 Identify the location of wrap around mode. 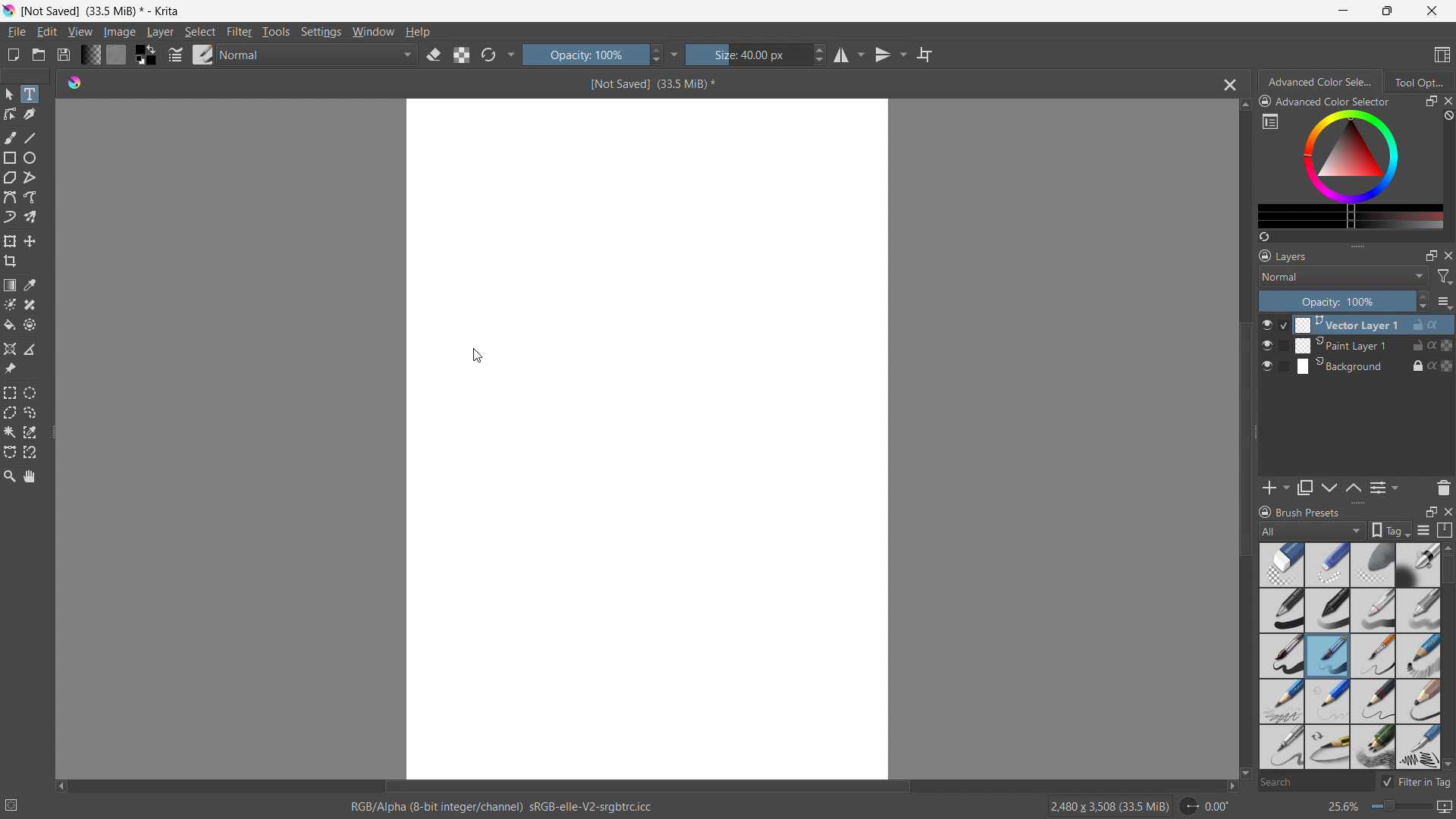
(925, 54).